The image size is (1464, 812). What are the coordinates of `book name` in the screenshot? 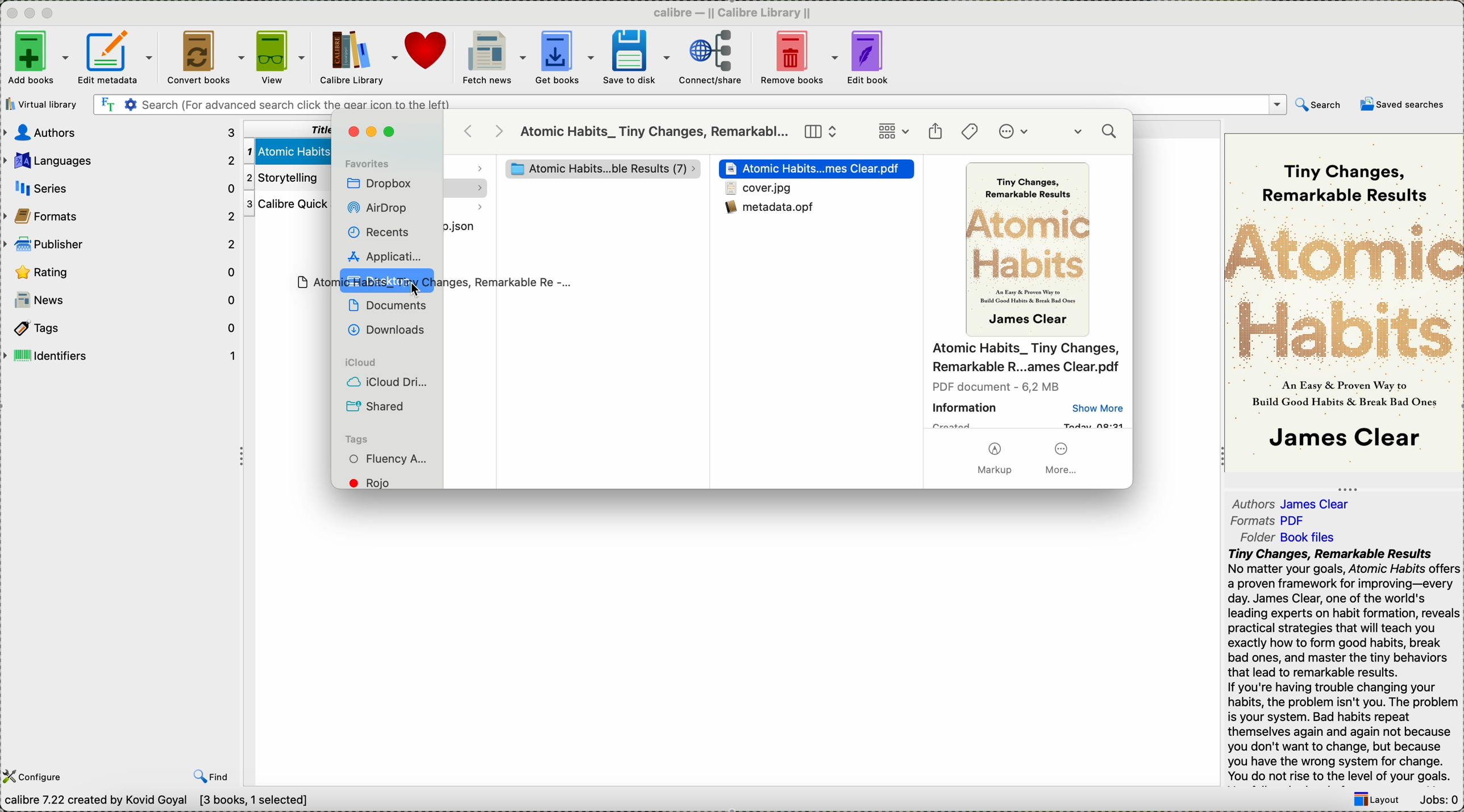 It's located at (655, 132).